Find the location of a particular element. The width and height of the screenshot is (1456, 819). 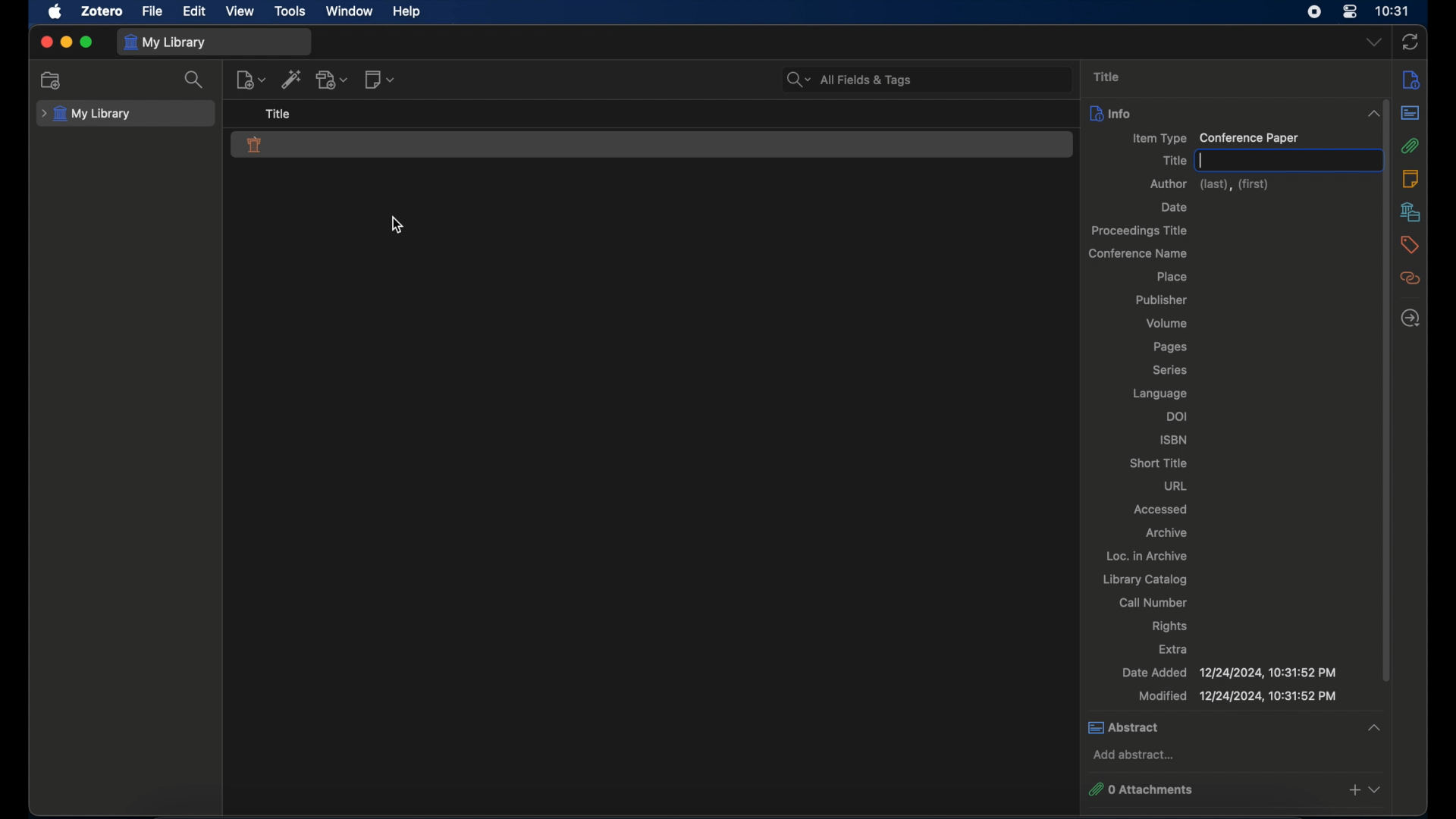

zotero is located at coordinates (103, 11).